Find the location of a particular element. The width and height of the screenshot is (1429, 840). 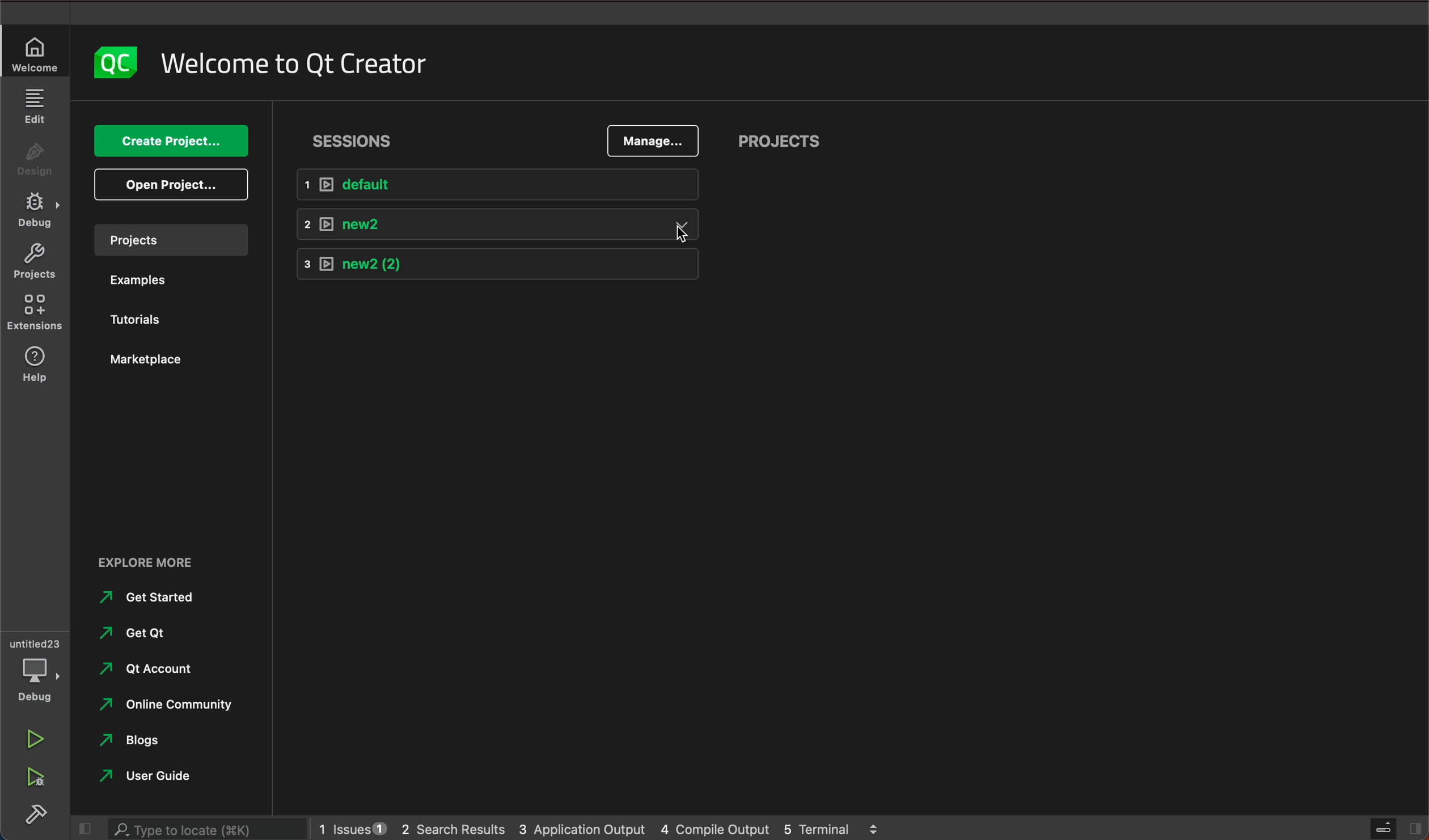

online community is located at coordinates (172, 703).